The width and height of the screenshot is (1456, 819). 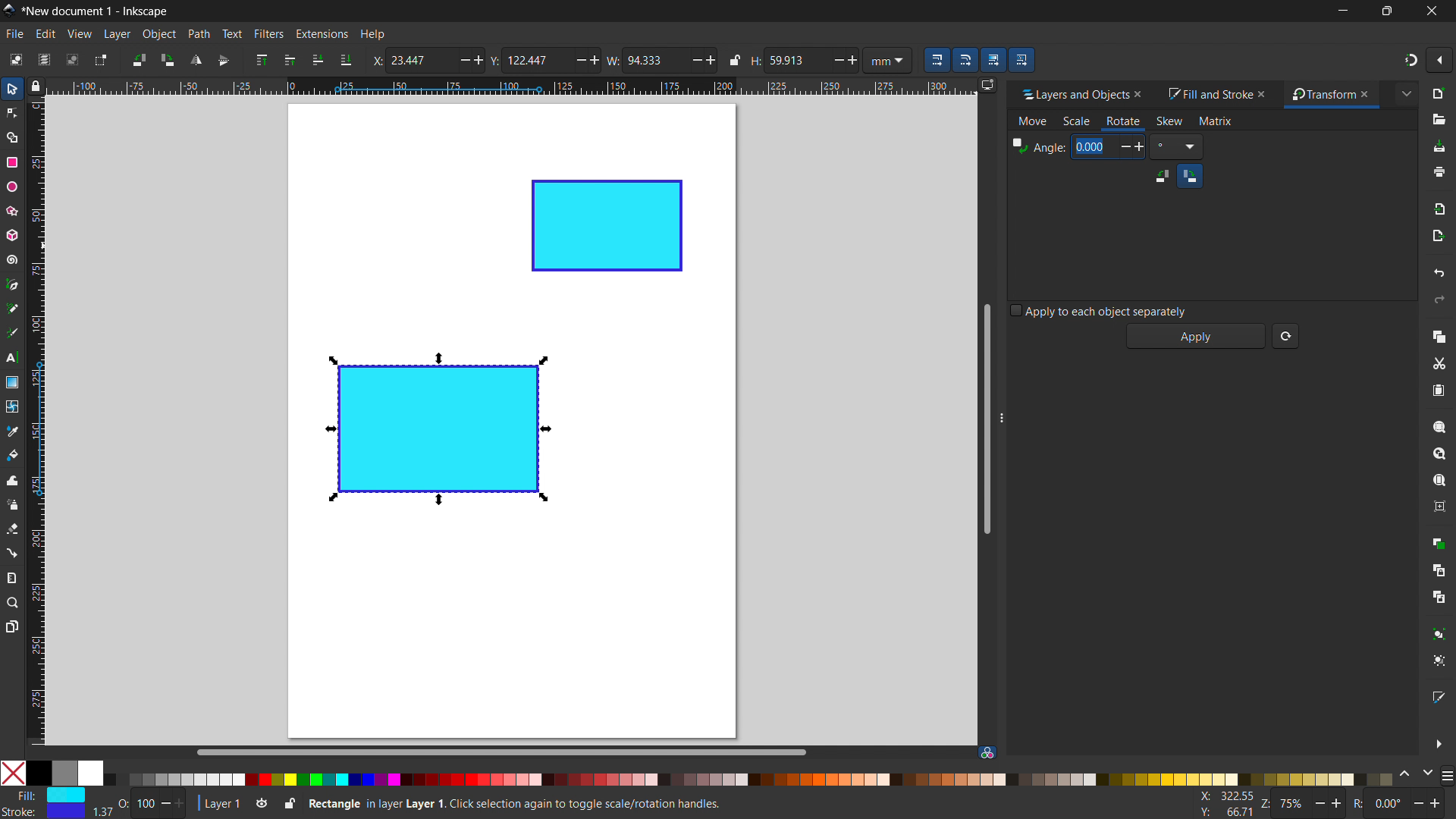 What do you see at coordinates (12, 480) in the screenshot?
I see `tweak tool` at bounding box center [12, 480].